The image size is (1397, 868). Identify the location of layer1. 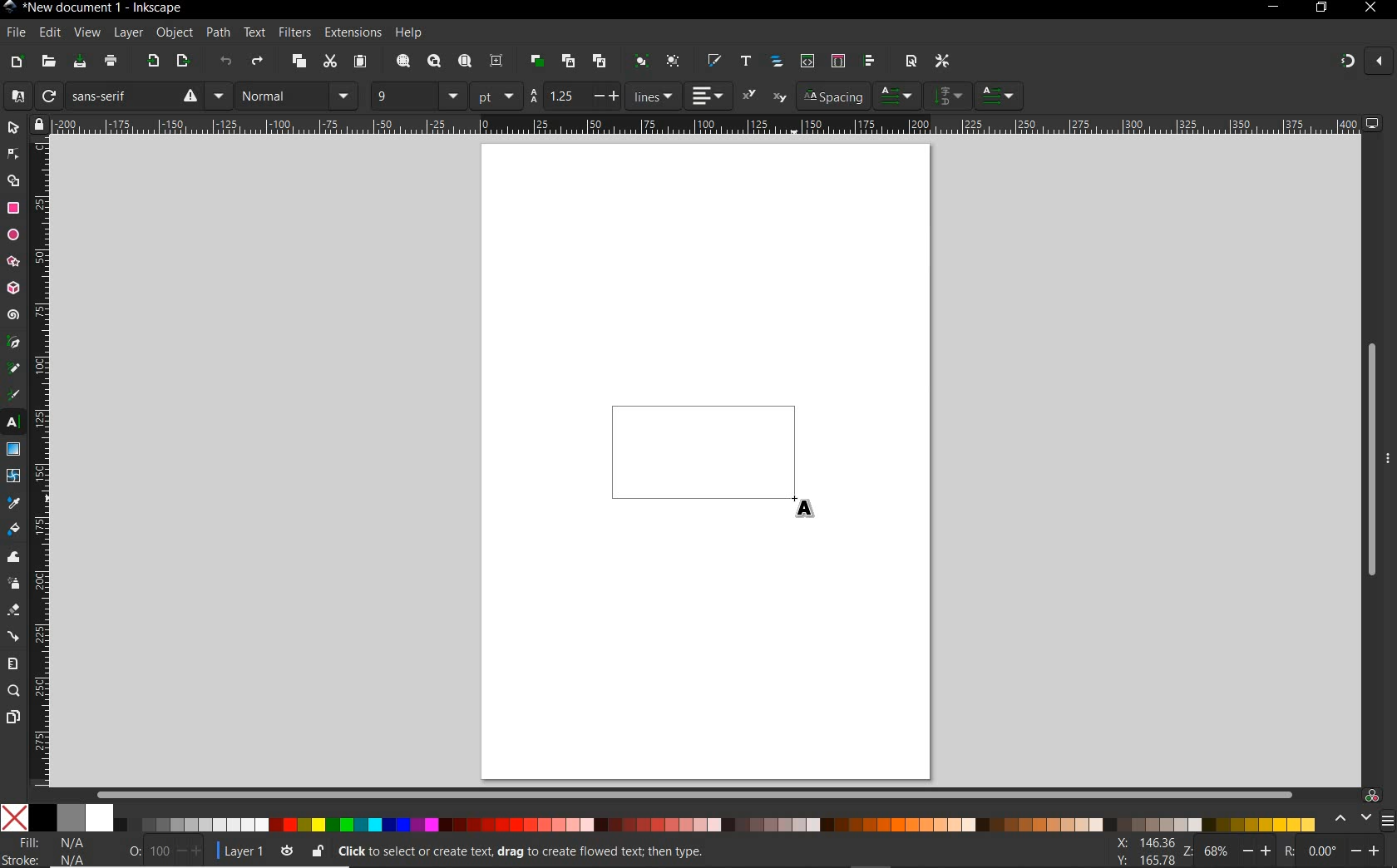
(239, 848).